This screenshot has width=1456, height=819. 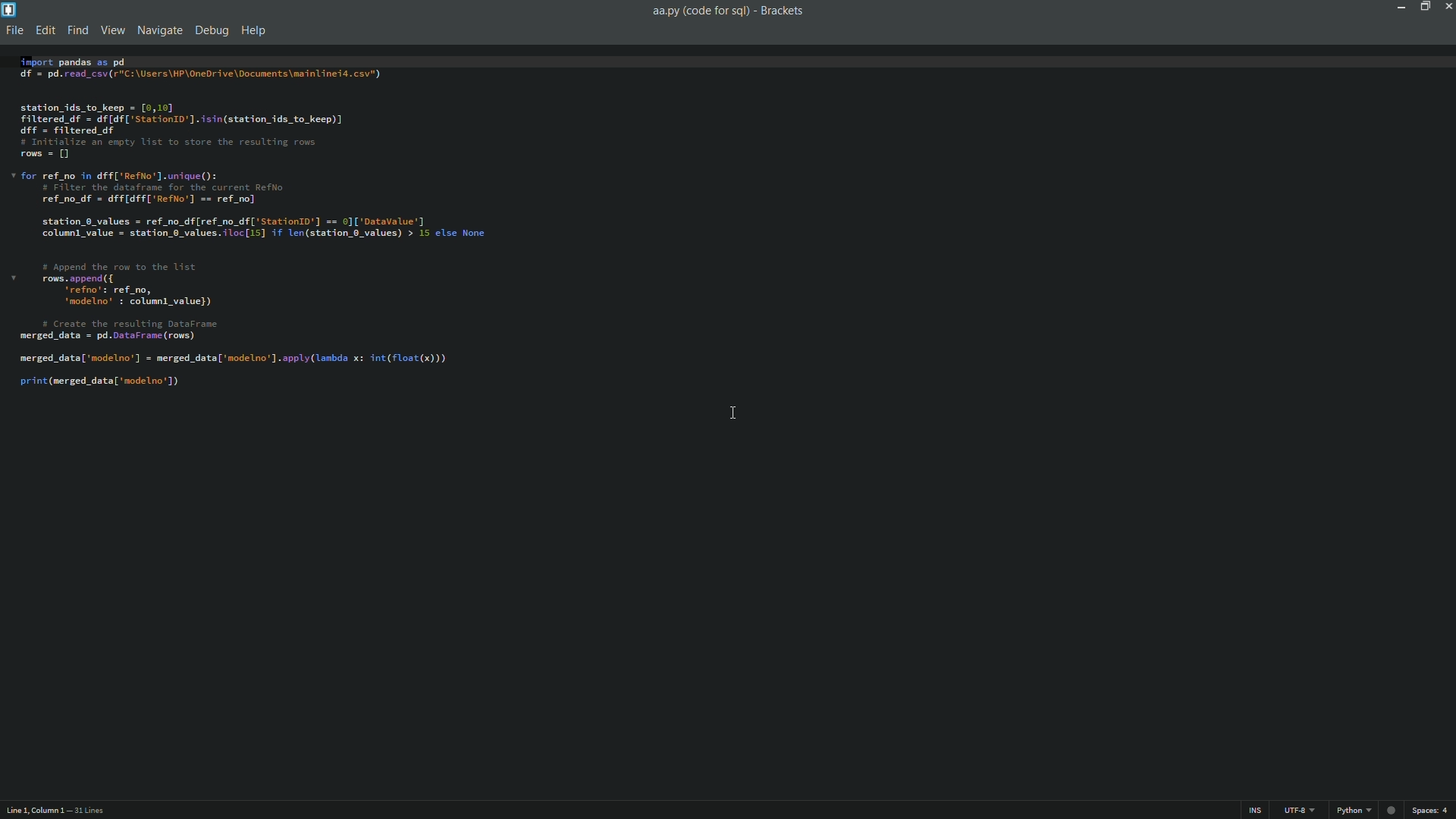 I want to click on minimize, so click(x=1398, y=8).